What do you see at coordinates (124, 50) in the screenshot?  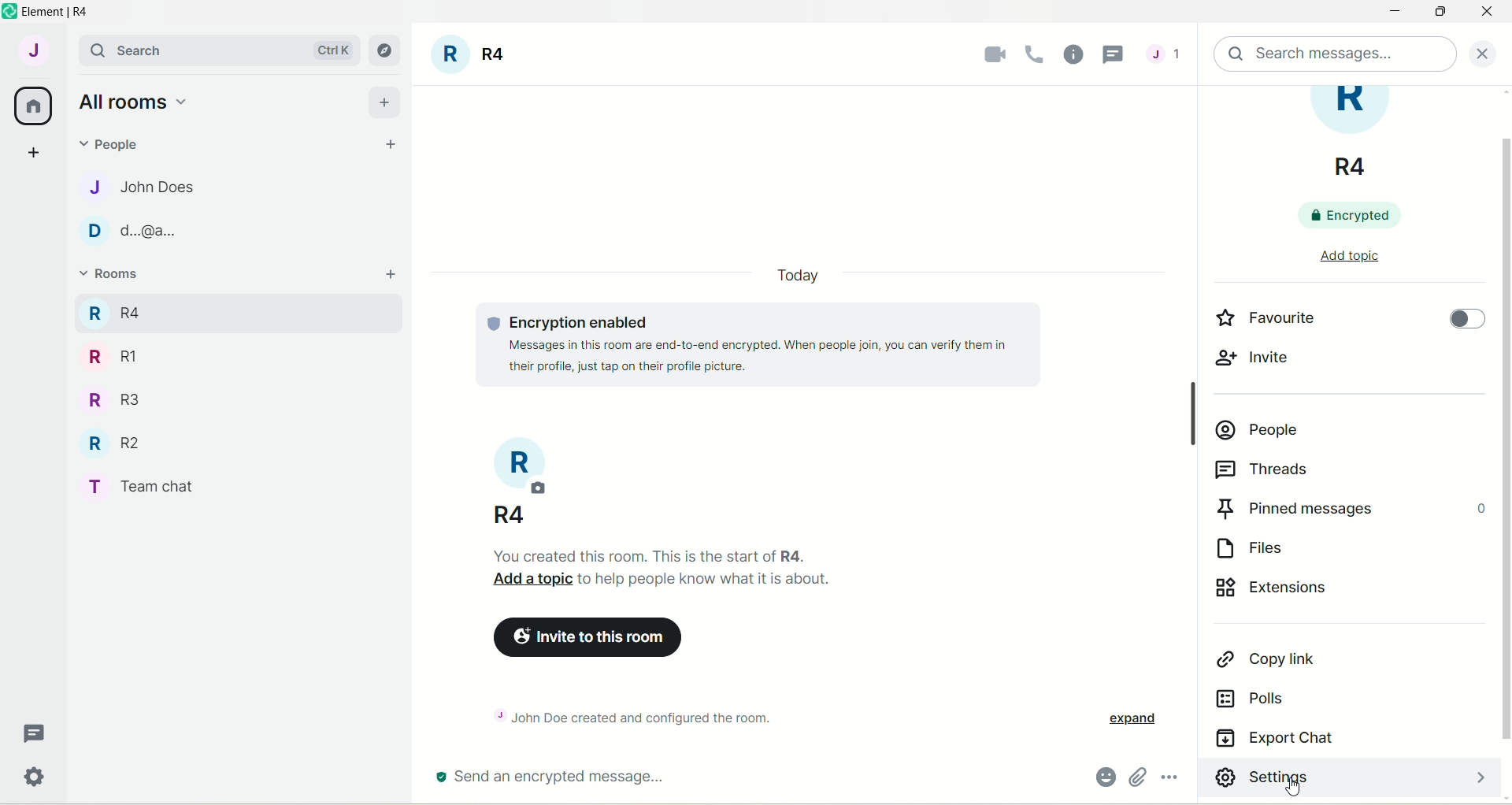 I see `search` at bounding box center [124, 50].